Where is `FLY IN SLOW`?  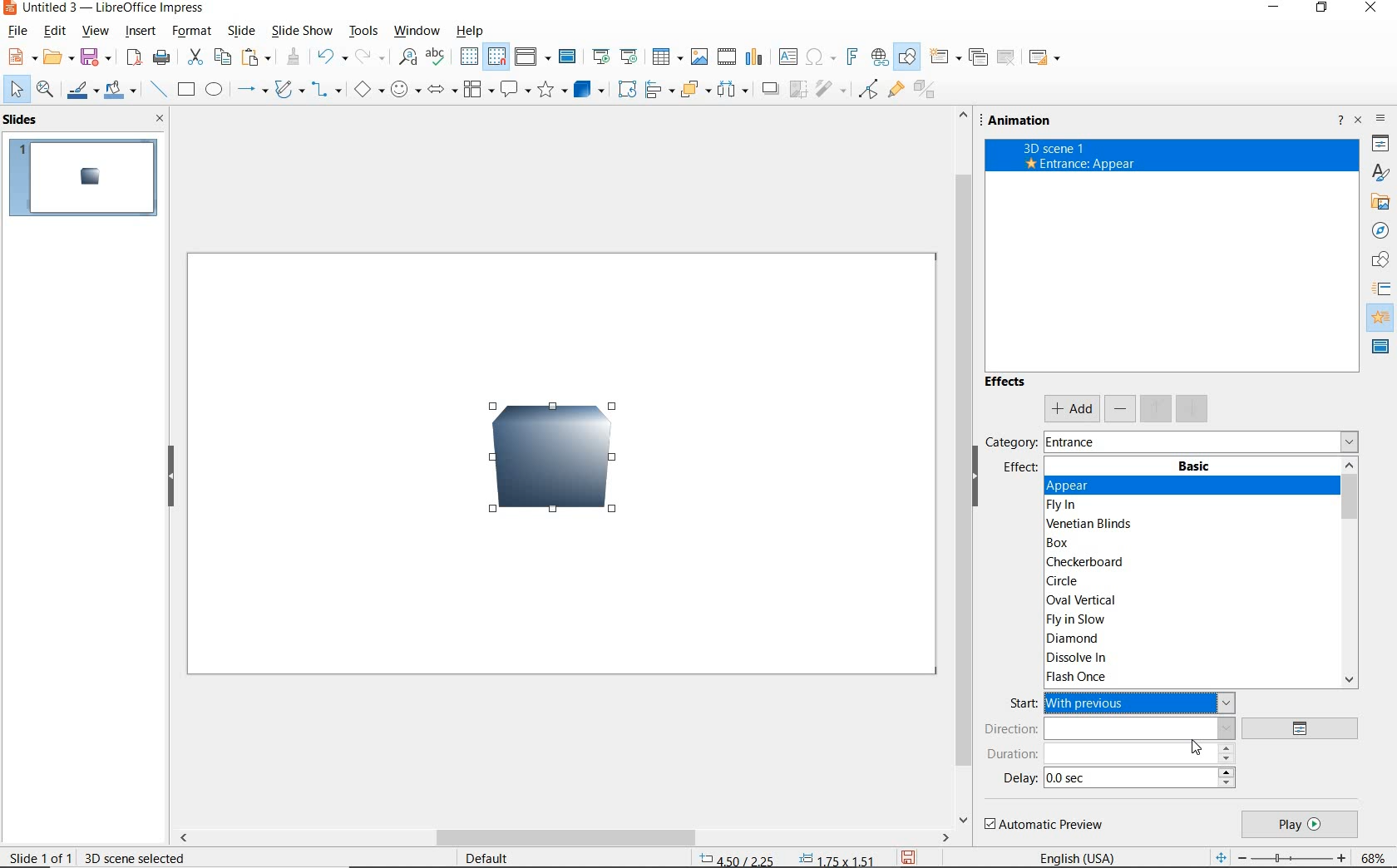 FLY IN SLOW is located at coordinates (1075, 620).